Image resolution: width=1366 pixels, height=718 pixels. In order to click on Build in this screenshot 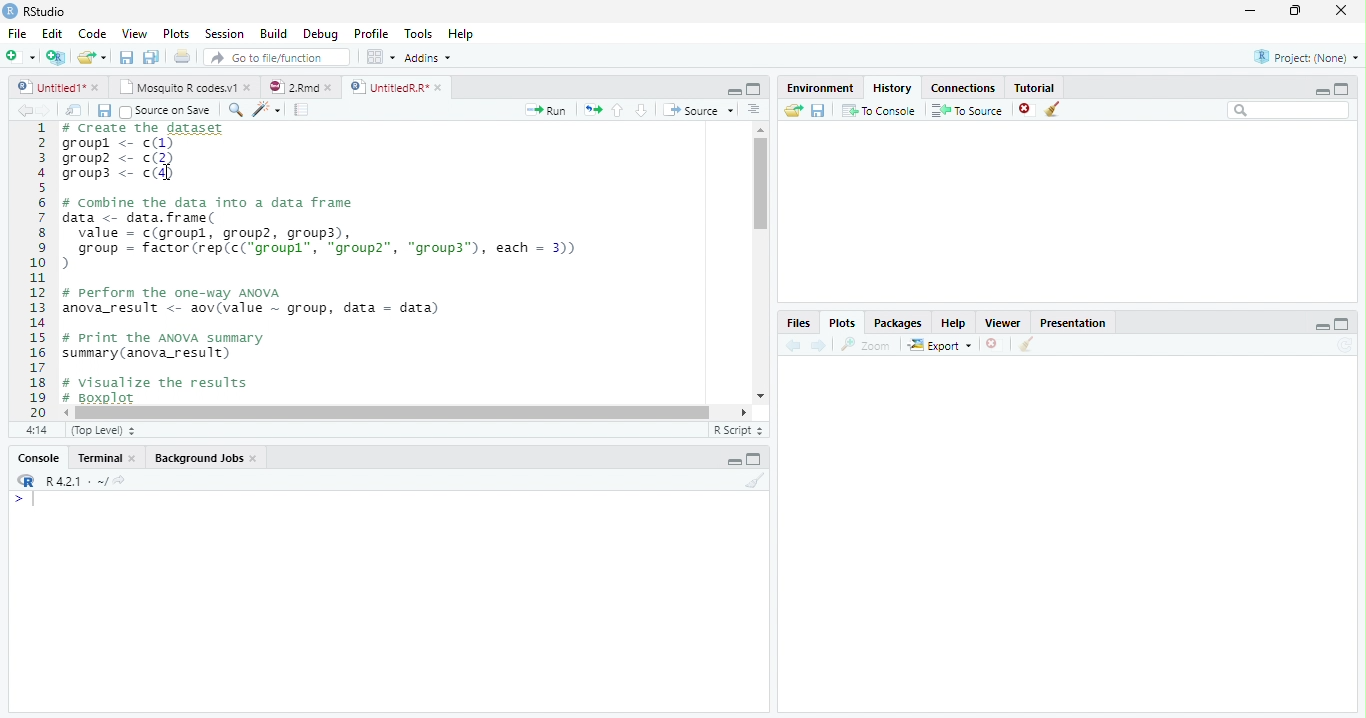, I will do `click(277, 34)`.